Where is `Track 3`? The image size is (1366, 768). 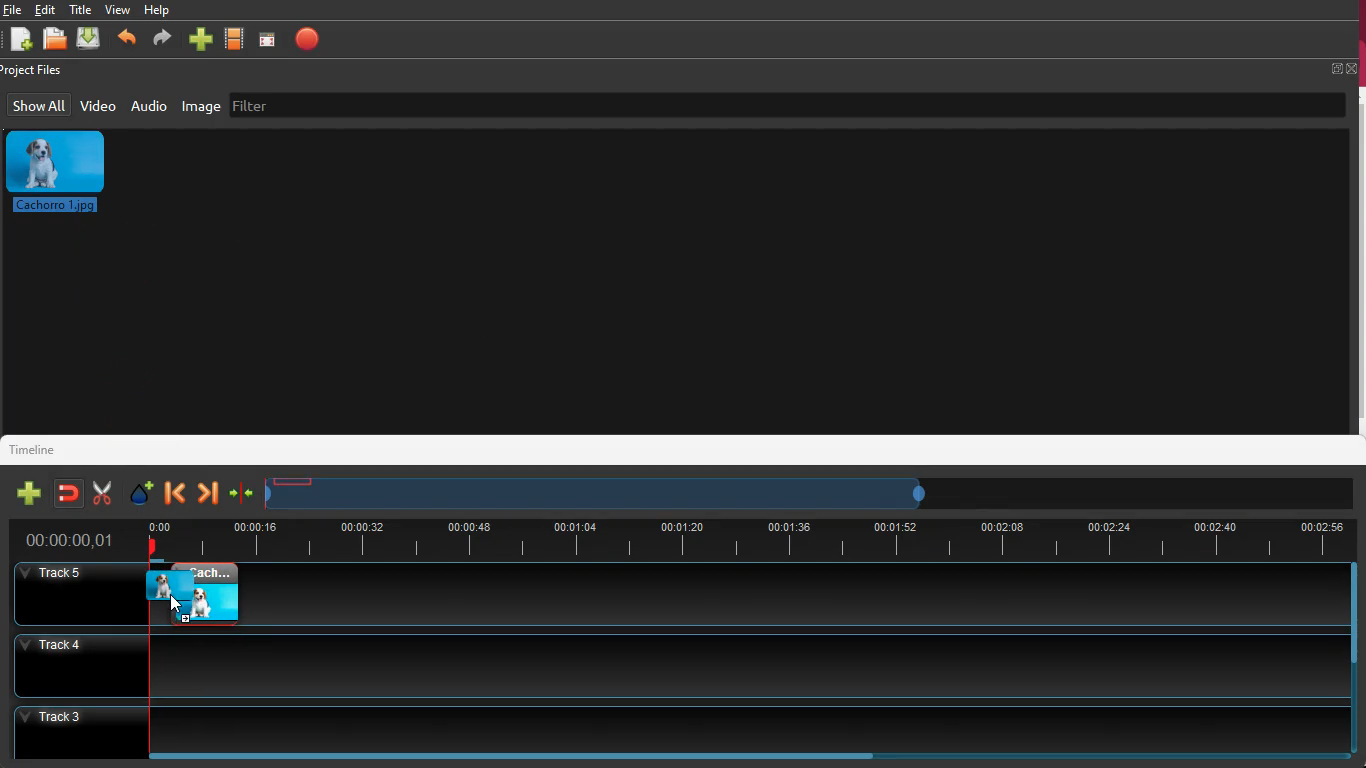 Track 3 is located at coordinates (681, 726).